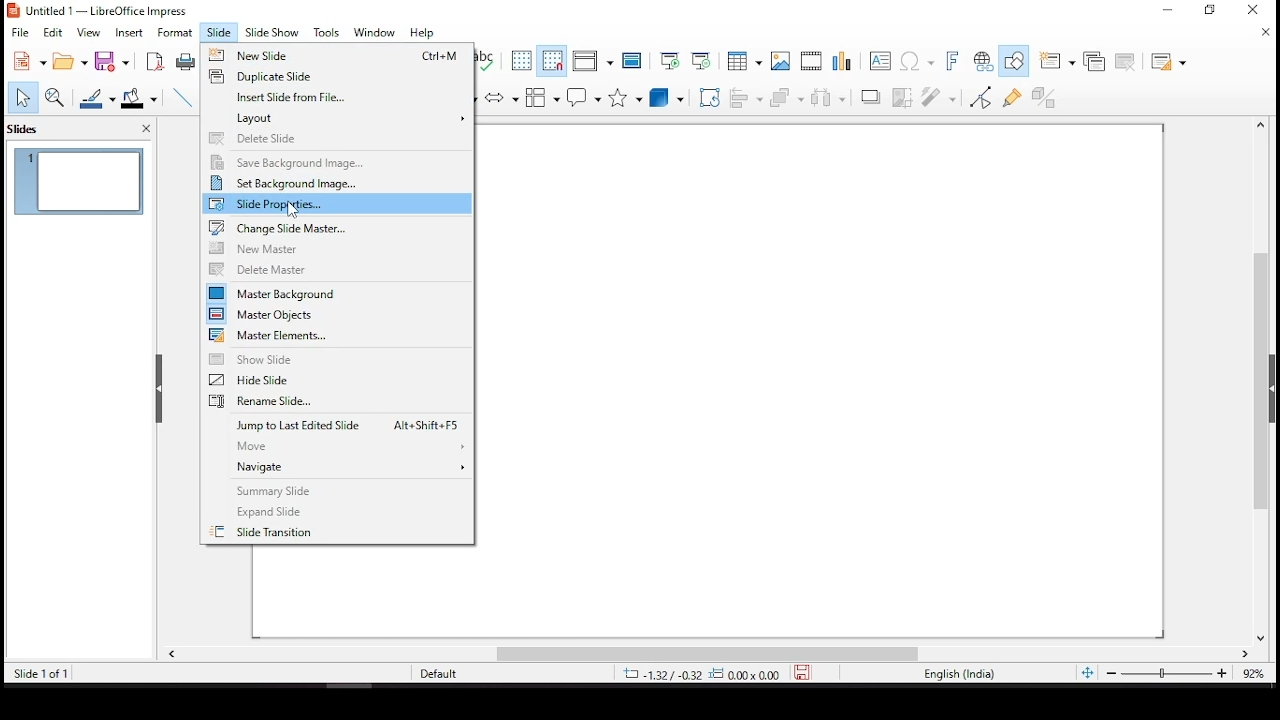 The width and height of the screenshot is (1280, 720). What do you see at coordinates (337, 79) in the screenshot?
I see `duplicate slide` at bounding box center [337, 79].